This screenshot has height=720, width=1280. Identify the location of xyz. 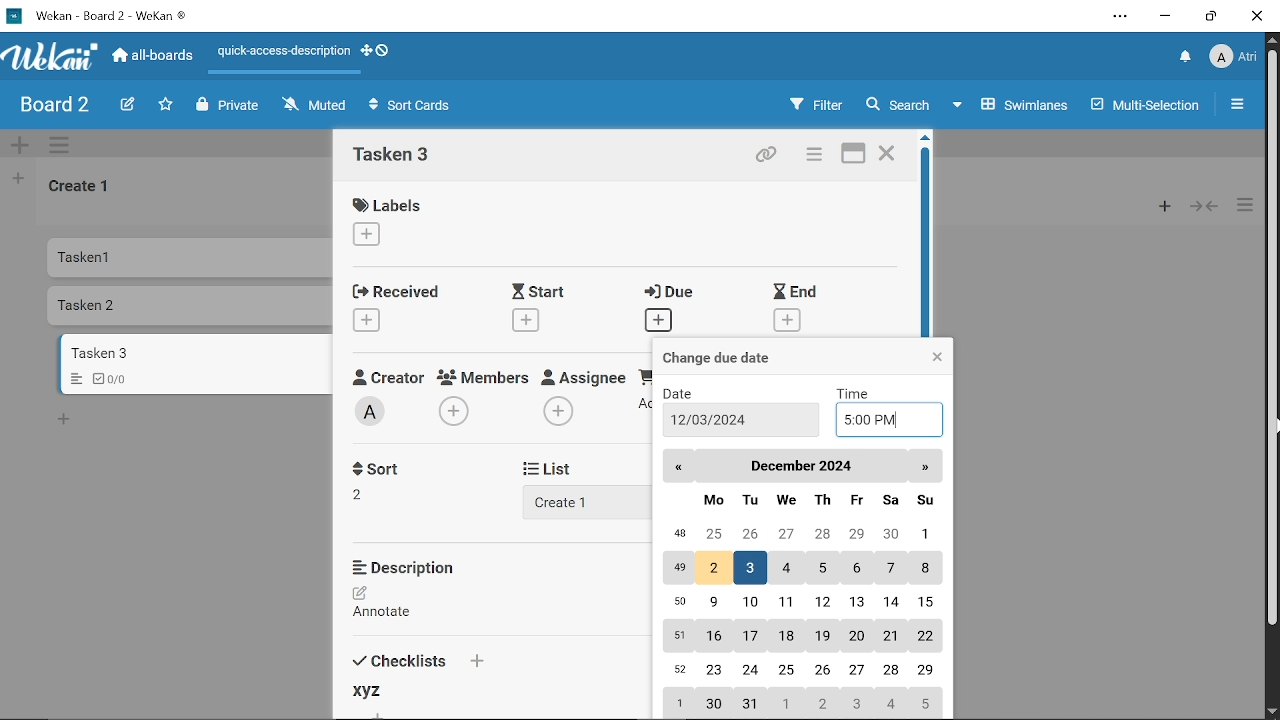
(366, 690).